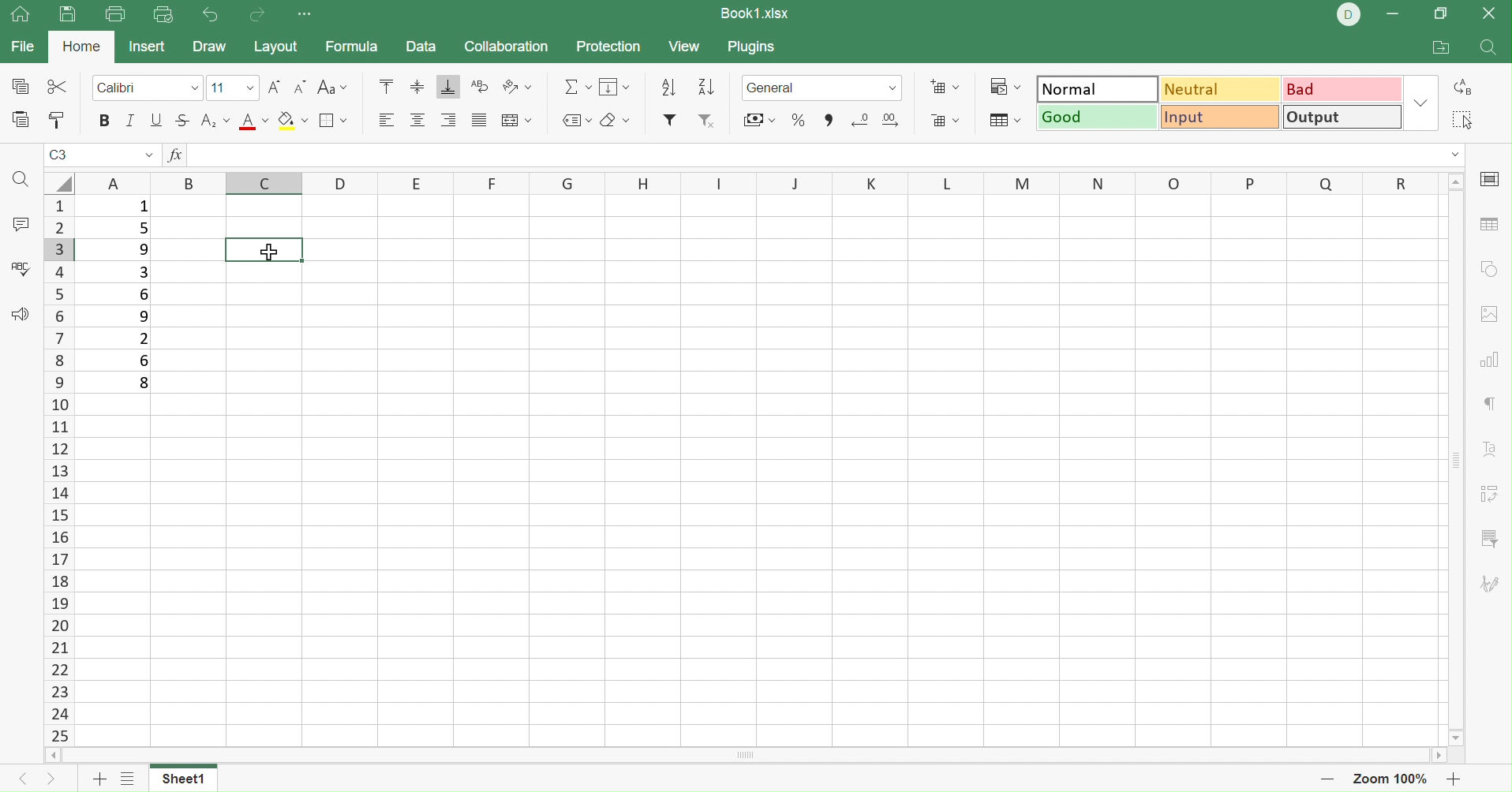 Image resolution: width=1512 pixels, height=792 pixels. Describe the element at coordinates (146, 294) in the screenshot. I see `6` at that location.